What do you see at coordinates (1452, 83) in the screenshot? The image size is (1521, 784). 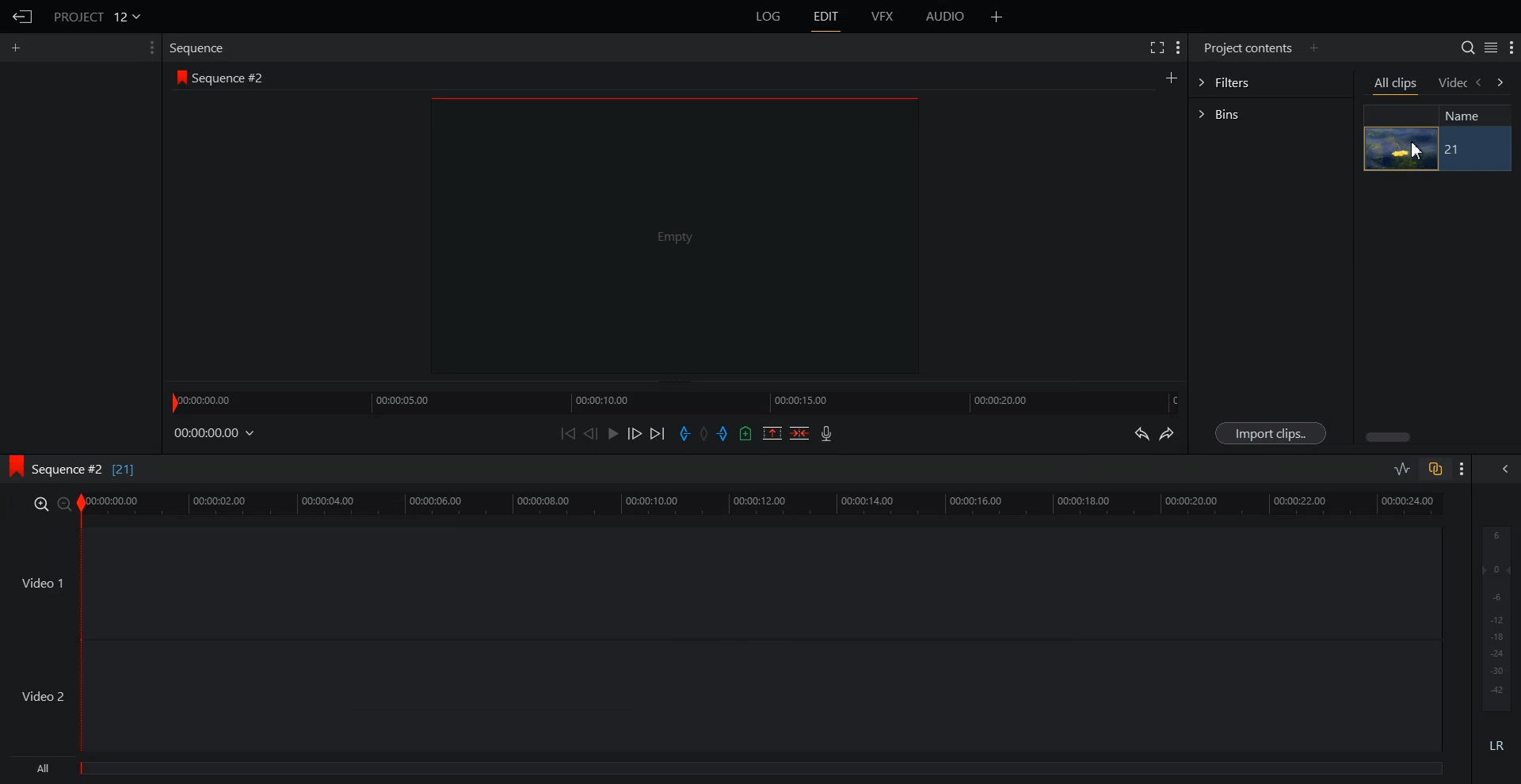 I see `Video` at bounding box center [1452, 83].